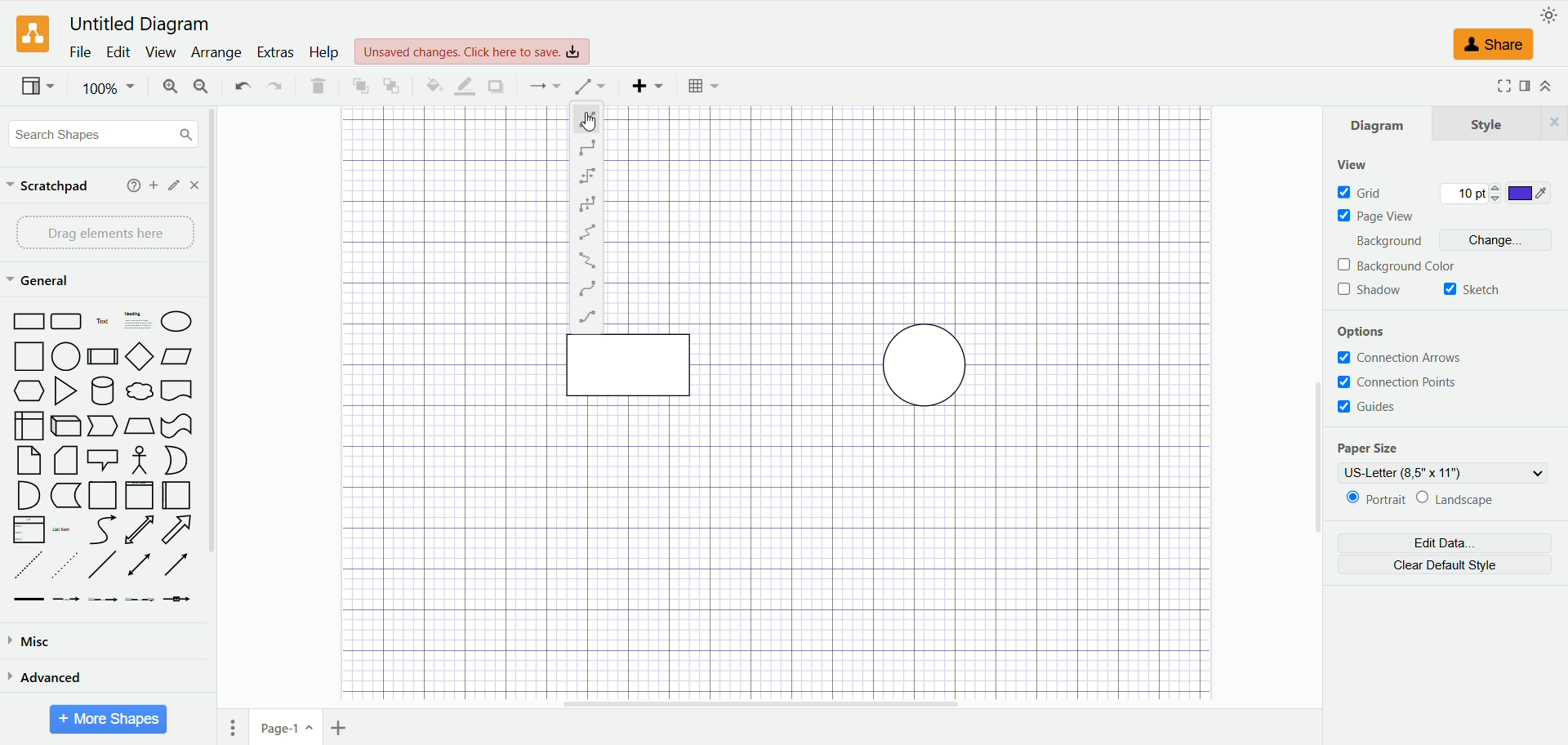 The height and width of the screenshot is (745, 1568). I want to click on Heading with Text, so click(139, 323).